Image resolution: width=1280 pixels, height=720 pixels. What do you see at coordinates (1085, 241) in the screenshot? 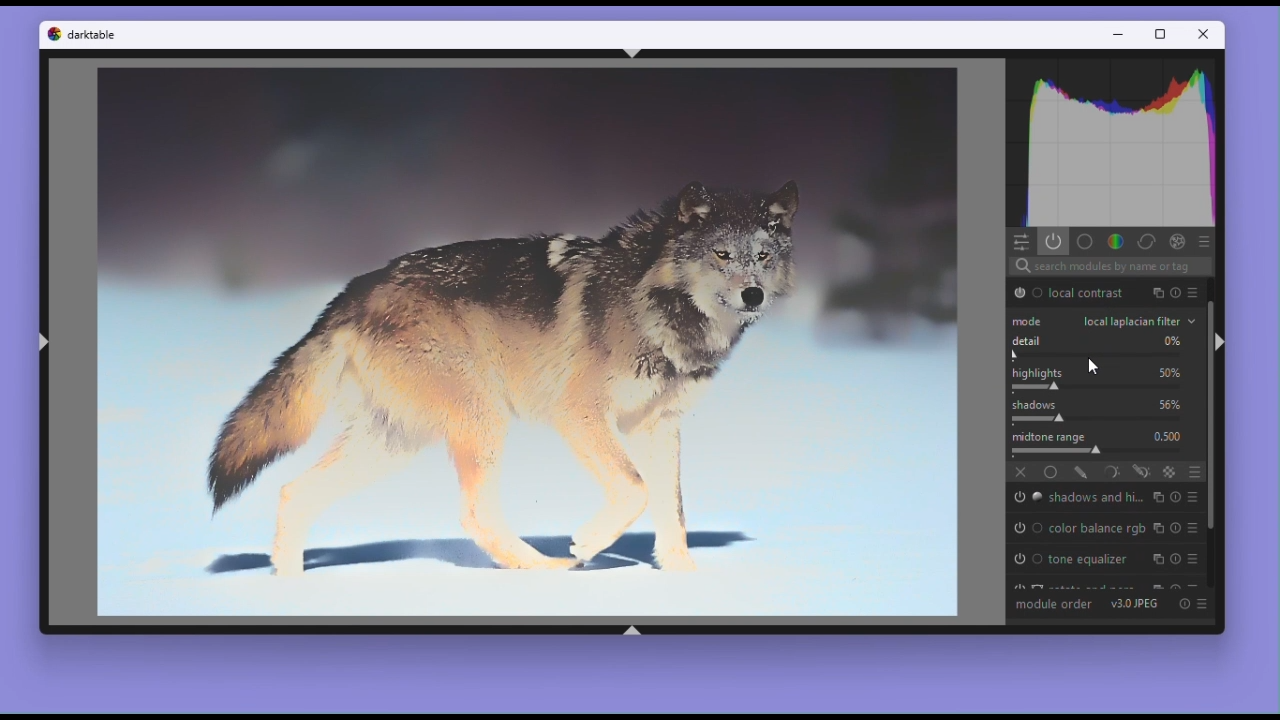
I see `base` at bounding box center [1085, 241].